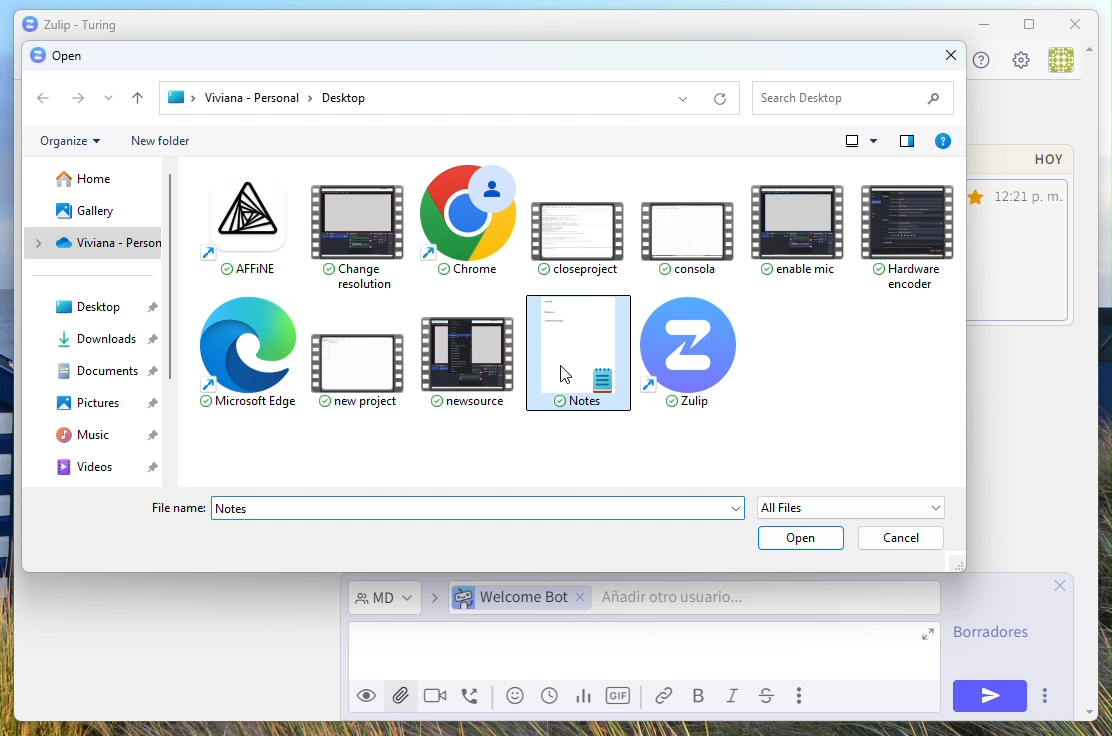 Image resolution: width=1112 pixels, height=736 pixels. I want to click on Senders, so click(689, 599).